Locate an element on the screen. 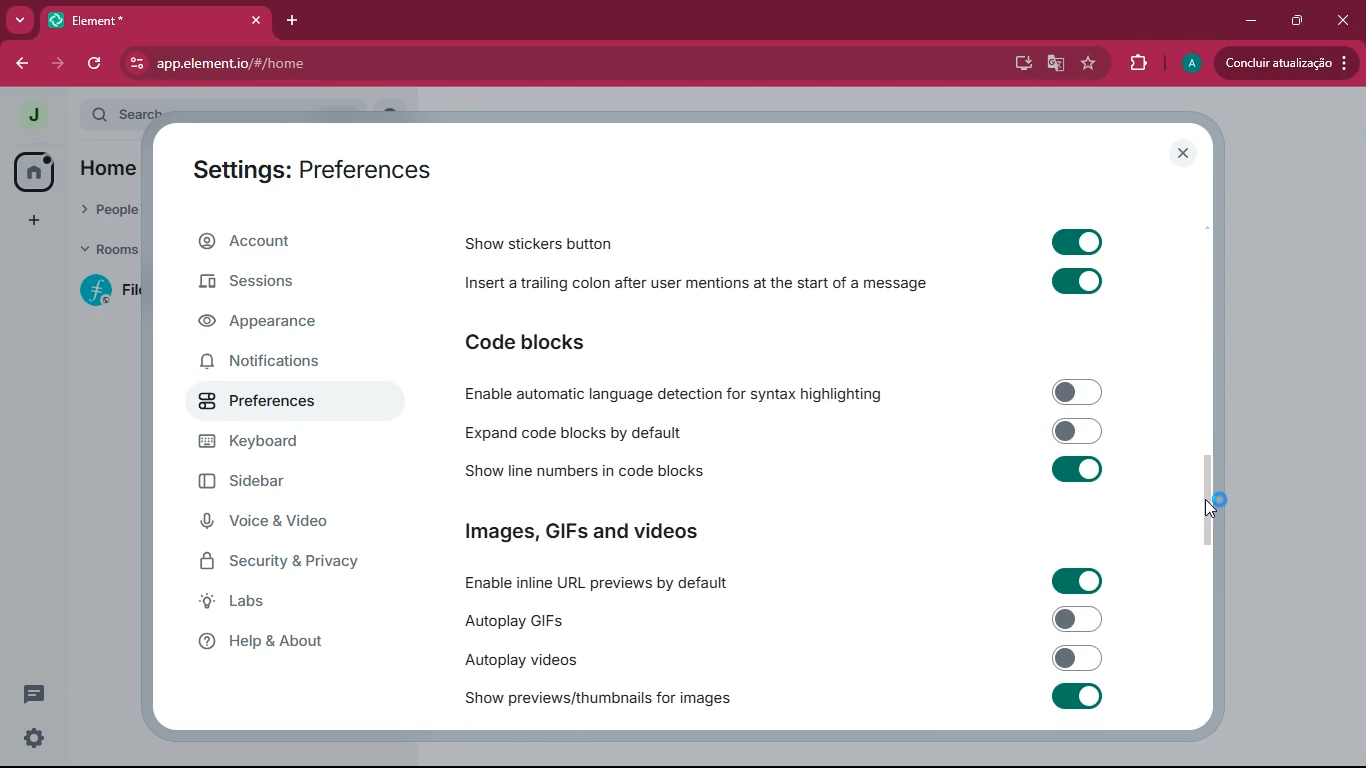 The height and width of the screenshot is (768, 1366). Autoplay GIFs is located at coordinates (523, 619).